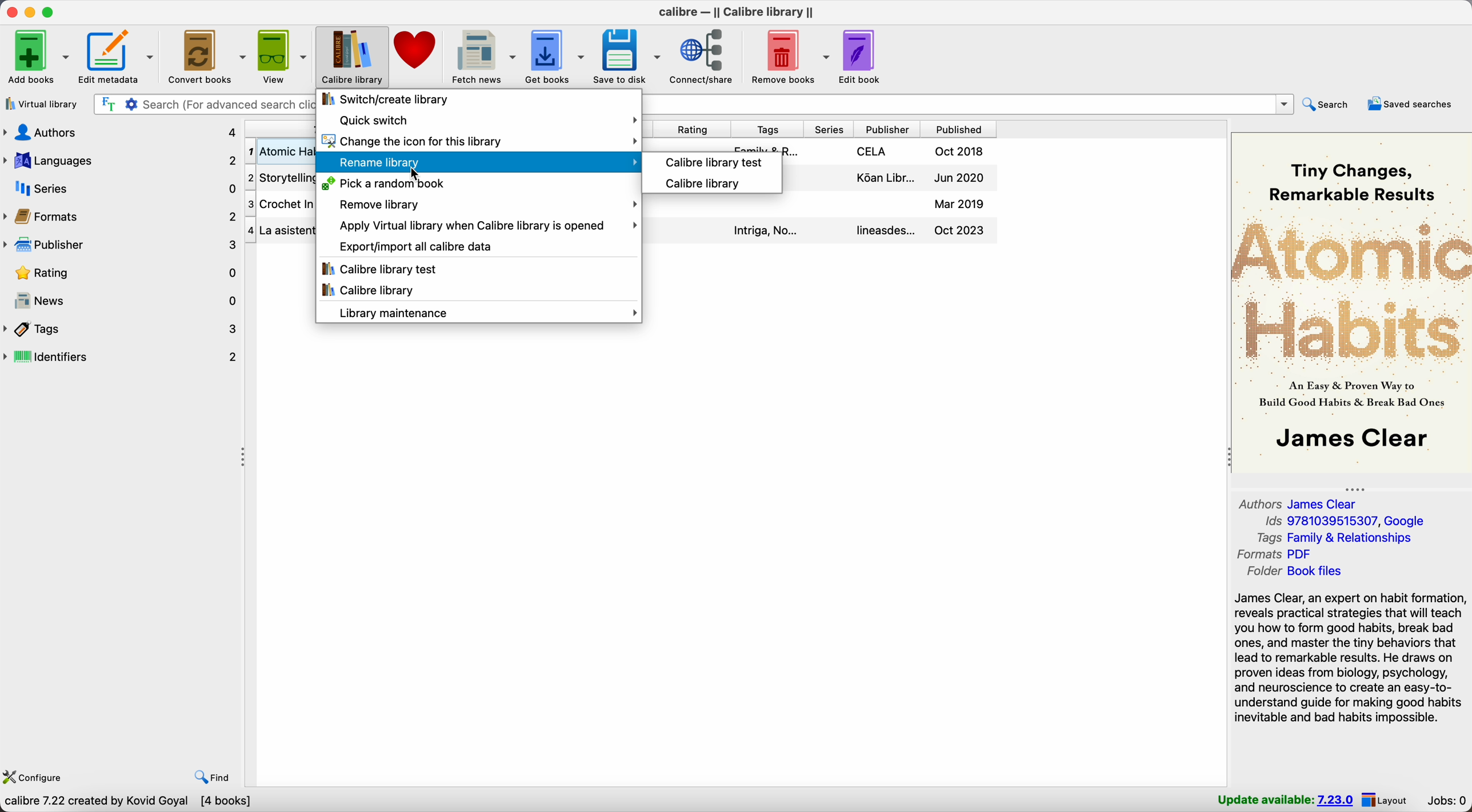 The width and height of the screenshot is (1472, 812). I want to click on authors James Clear, so click(1298, 503).